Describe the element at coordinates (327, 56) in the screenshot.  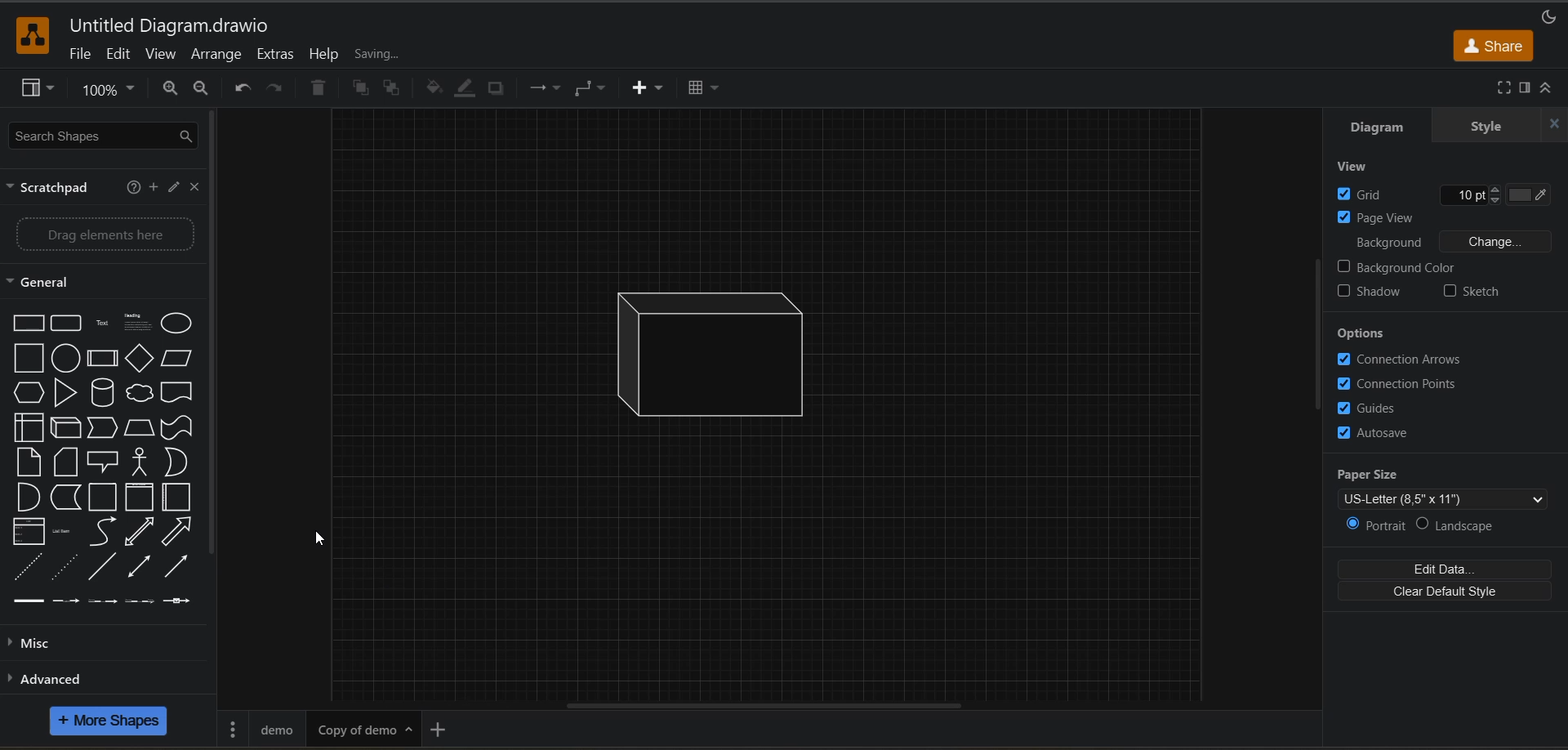
I see `help` at that location.